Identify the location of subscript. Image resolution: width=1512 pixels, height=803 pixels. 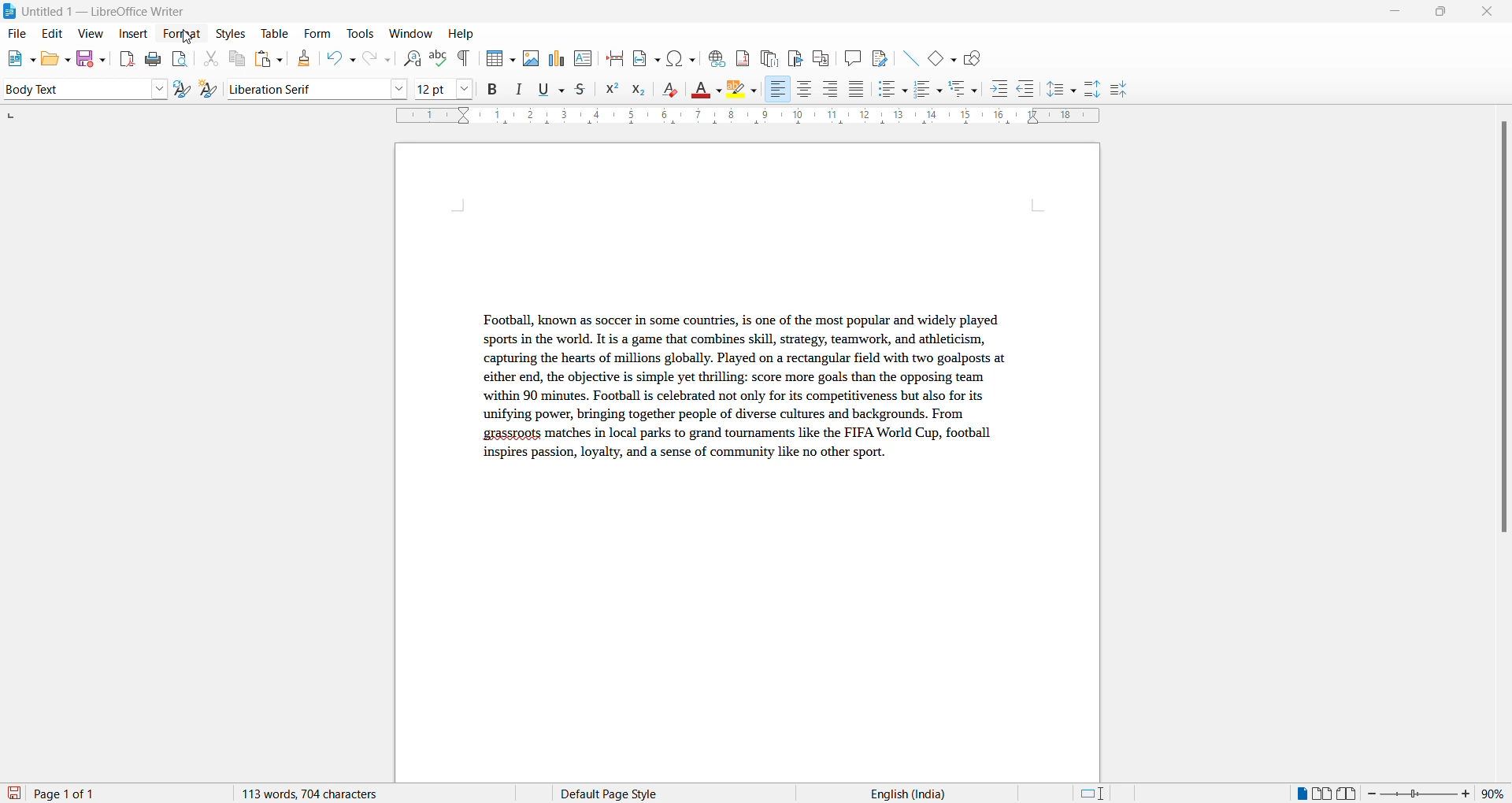
(643, 91).